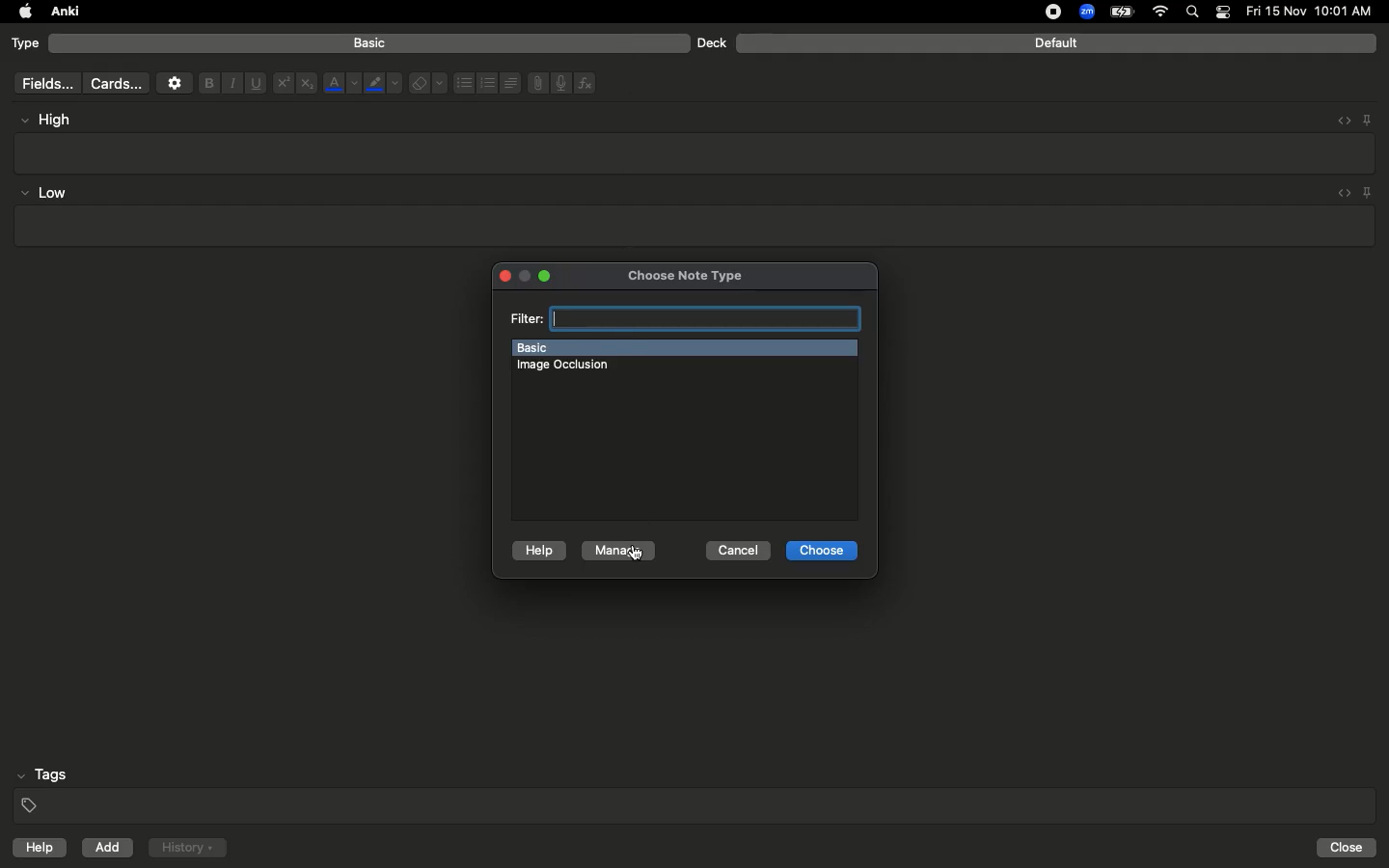  What do you see at coordinates (64, 13) in the screenshot?
I see `Anki` at bounding box center [64, 13].